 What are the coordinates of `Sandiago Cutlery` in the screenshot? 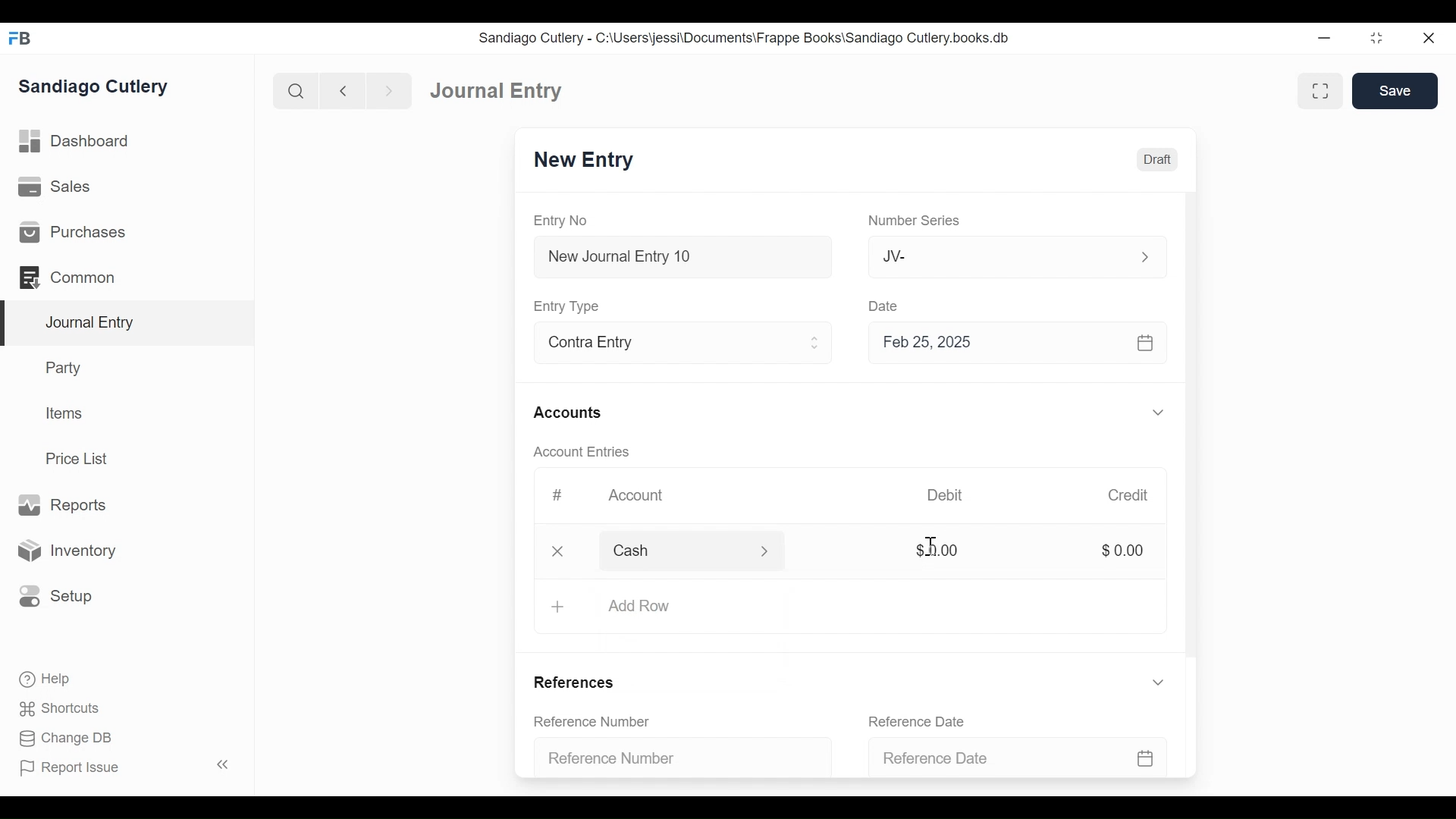 It's located at (94, 87).